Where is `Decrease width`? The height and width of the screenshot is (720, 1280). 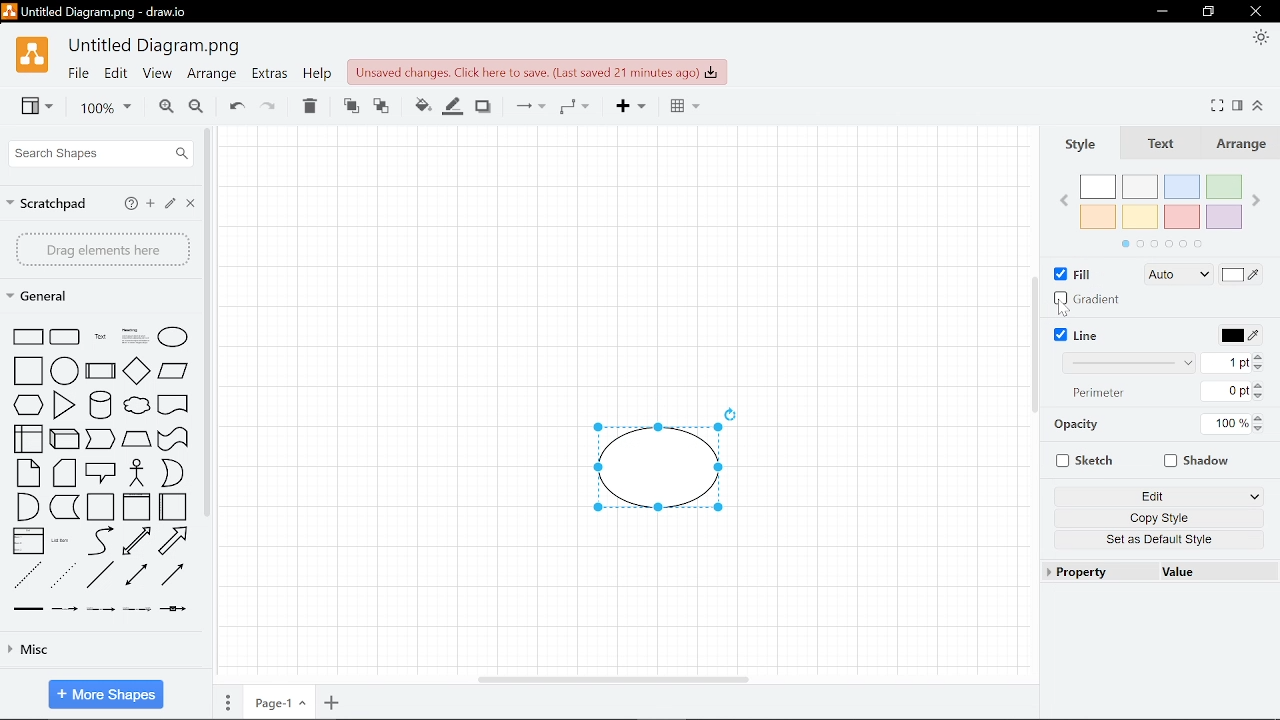
Decrease width is located at coordinates (1260, 369).